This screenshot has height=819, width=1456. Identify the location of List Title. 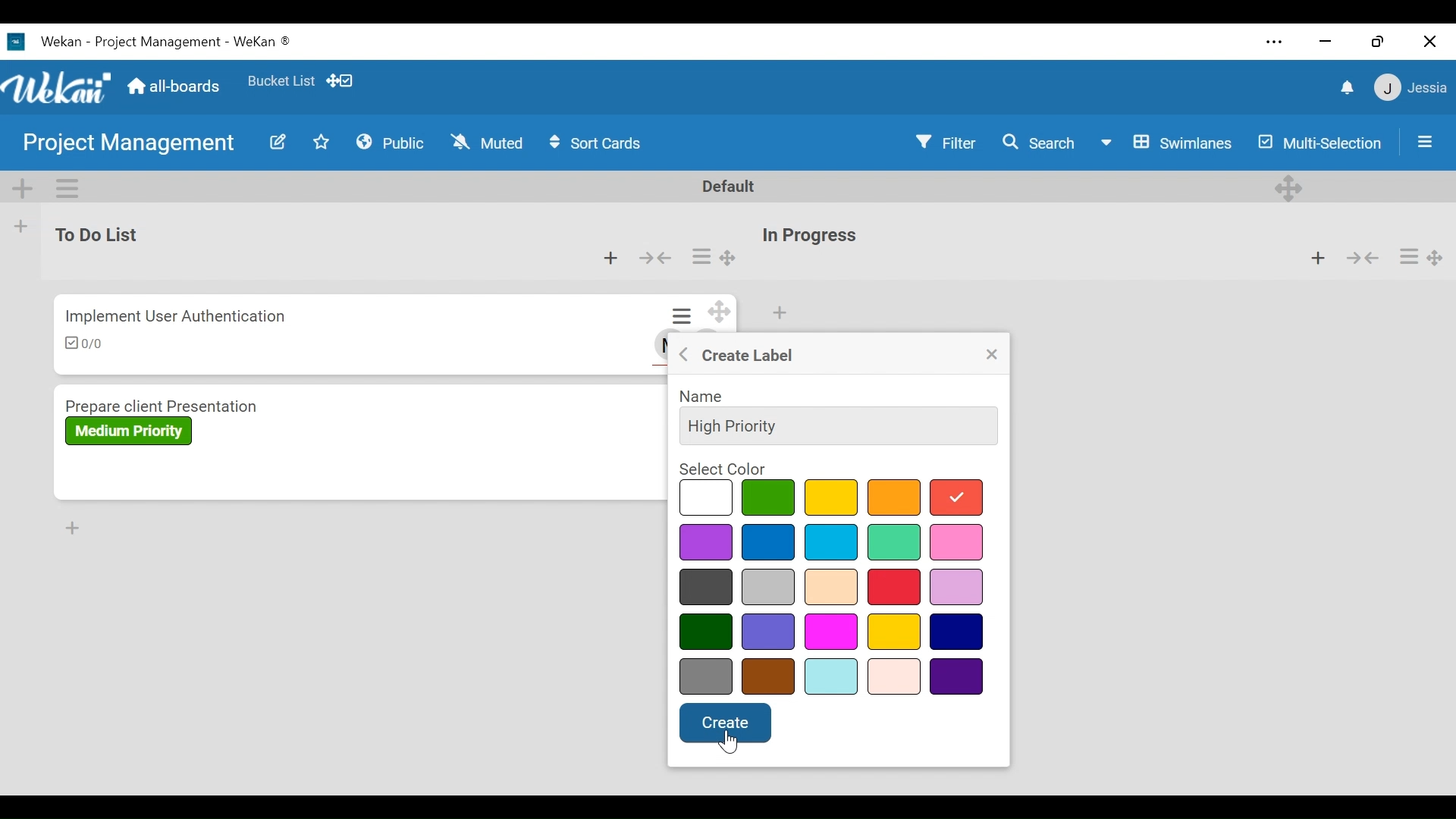
(808, 237).